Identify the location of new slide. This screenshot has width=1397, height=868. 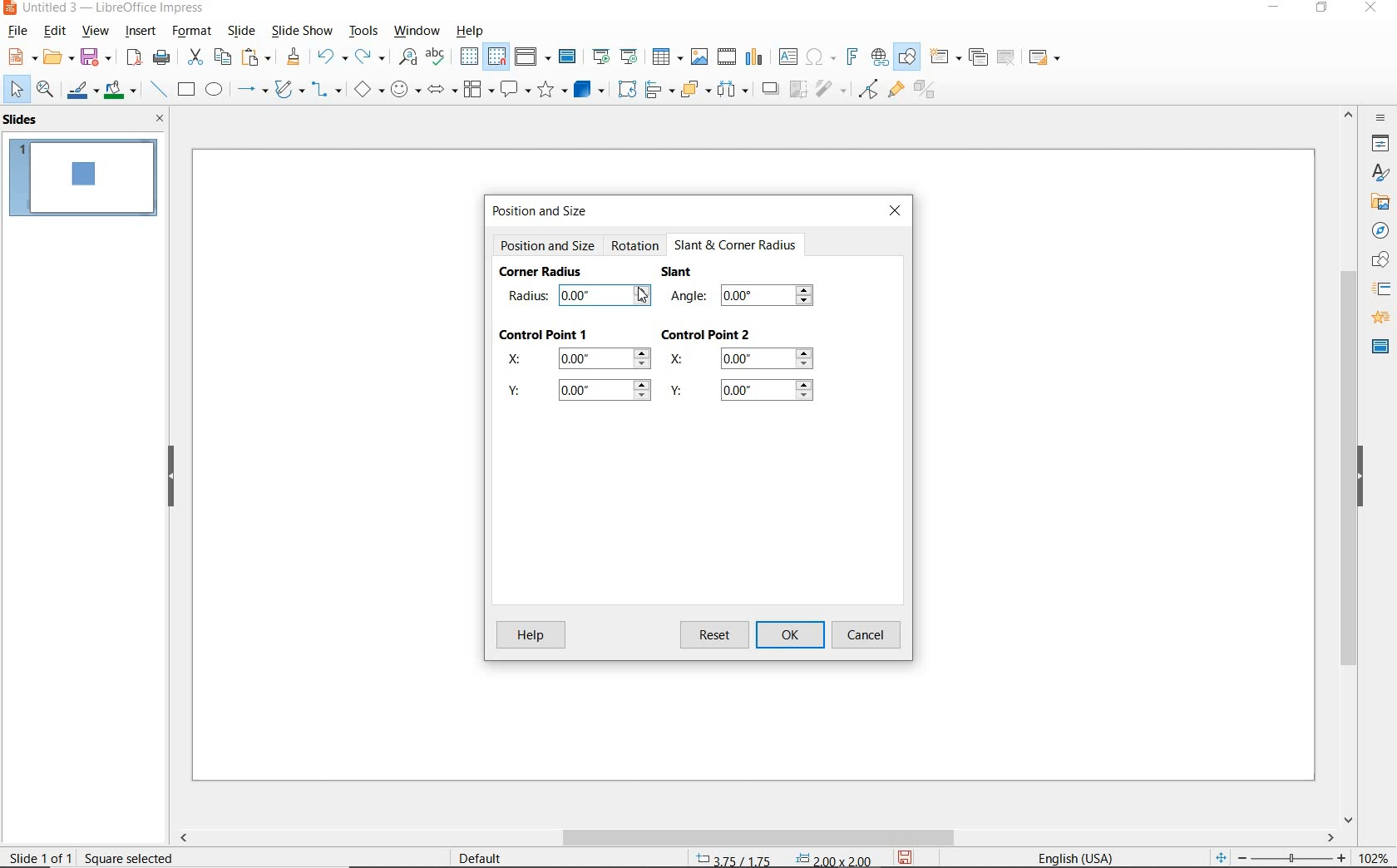
(945, 60).